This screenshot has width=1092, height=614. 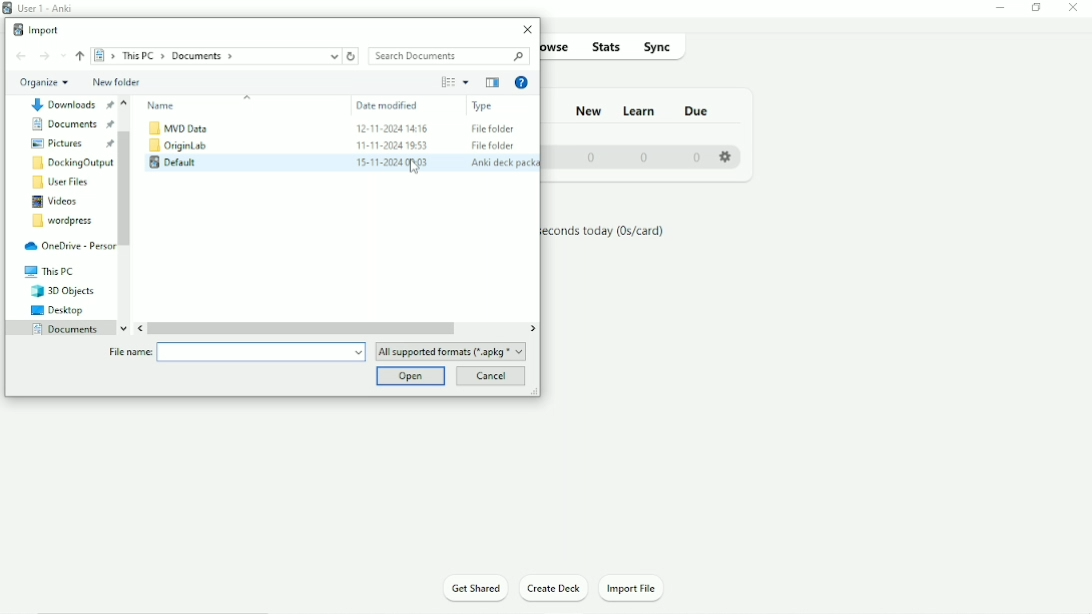 What do you see at coordinates (49, 272) in the screenshot?
I see `This PC` at bounding box center [49, 272].